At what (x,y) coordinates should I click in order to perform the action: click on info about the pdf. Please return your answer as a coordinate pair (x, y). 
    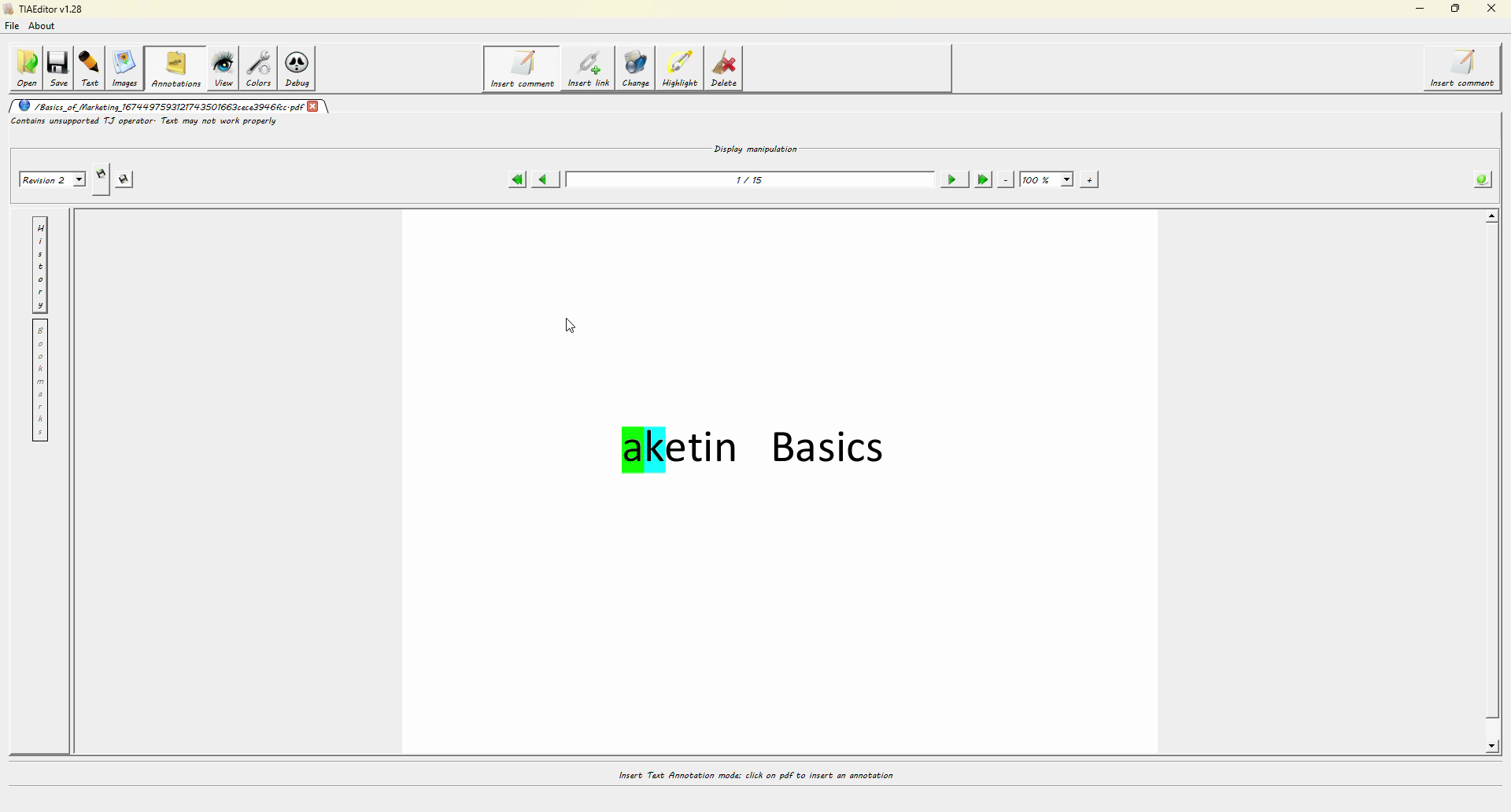
    Looking at the image, I should click on (1480, 180).